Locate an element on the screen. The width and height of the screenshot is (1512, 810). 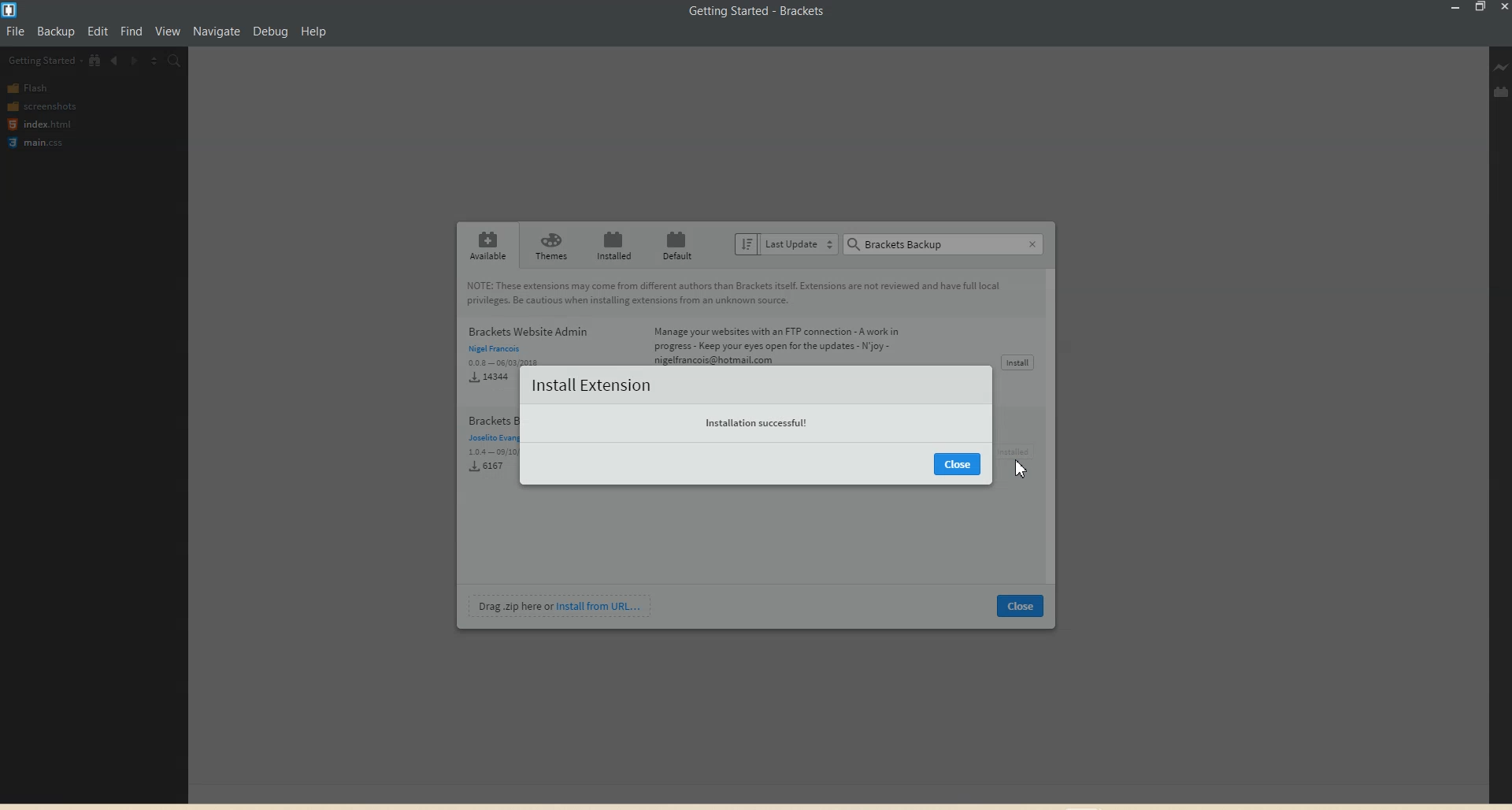
Install is located at coordinates (1018, 362).